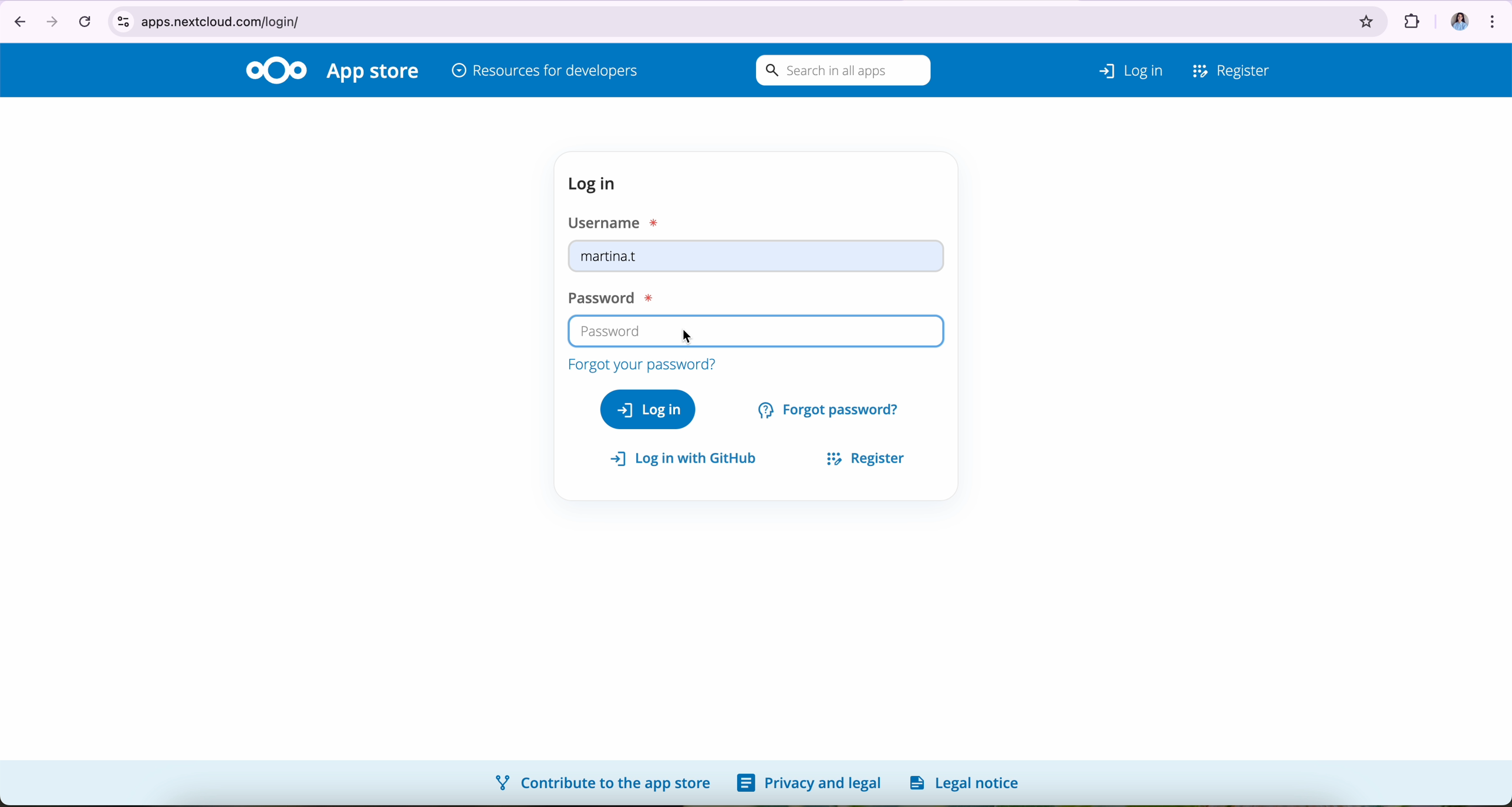 The width and height of the screenshot is (1512, 807). Describe the element at coordinates (84, 21) in the screenshot. I see `cancel` at that location.